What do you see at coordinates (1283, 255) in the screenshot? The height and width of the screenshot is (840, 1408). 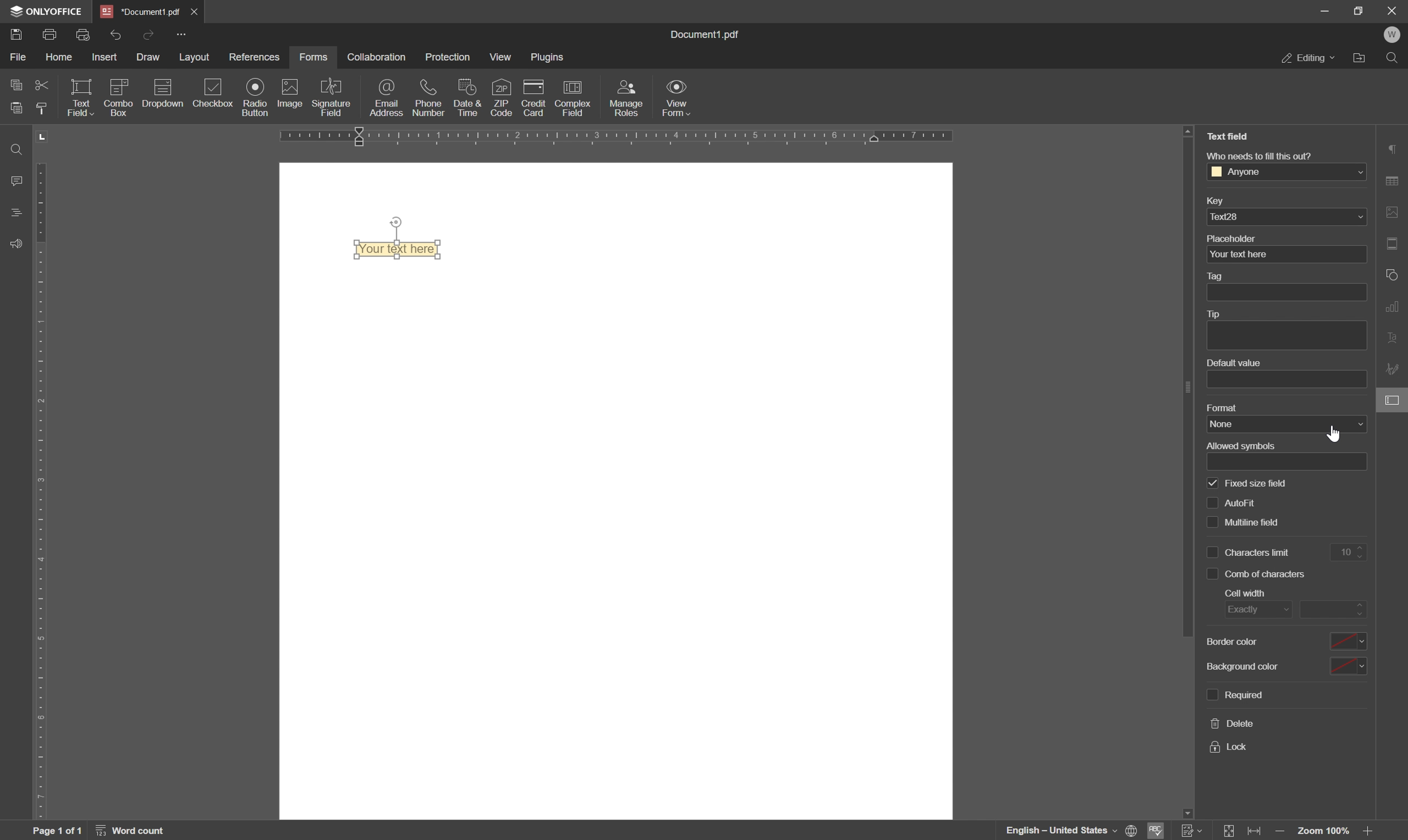 I see `your text here` at bounding box center [1283, 255].